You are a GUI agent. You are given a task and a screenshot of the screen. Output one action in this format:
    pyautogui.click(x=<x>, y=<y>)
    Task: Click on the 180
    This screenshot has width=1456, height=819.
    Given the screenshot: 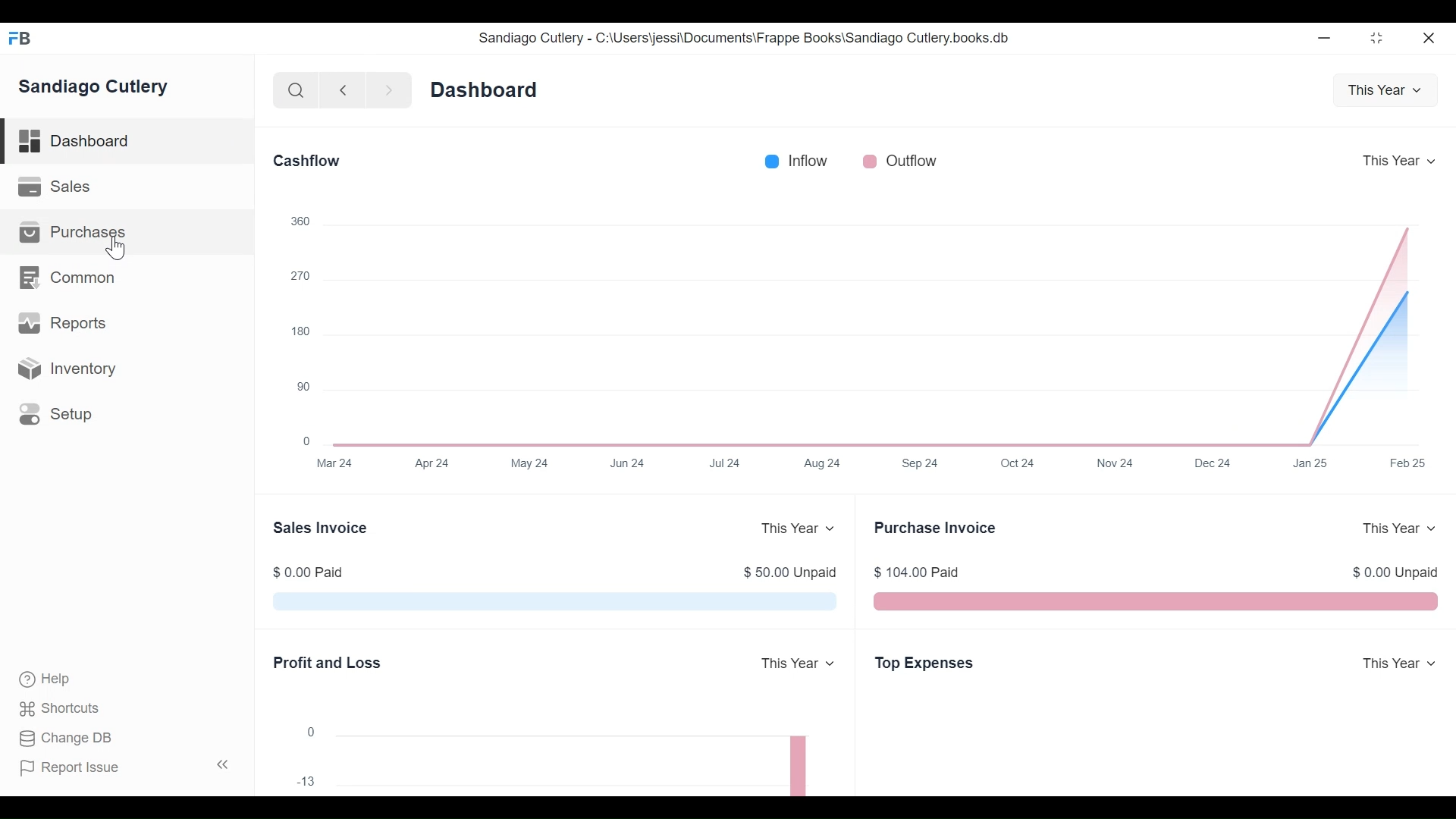 What is the action you would take?
    pyautogui.click(x=301, y=330)
    